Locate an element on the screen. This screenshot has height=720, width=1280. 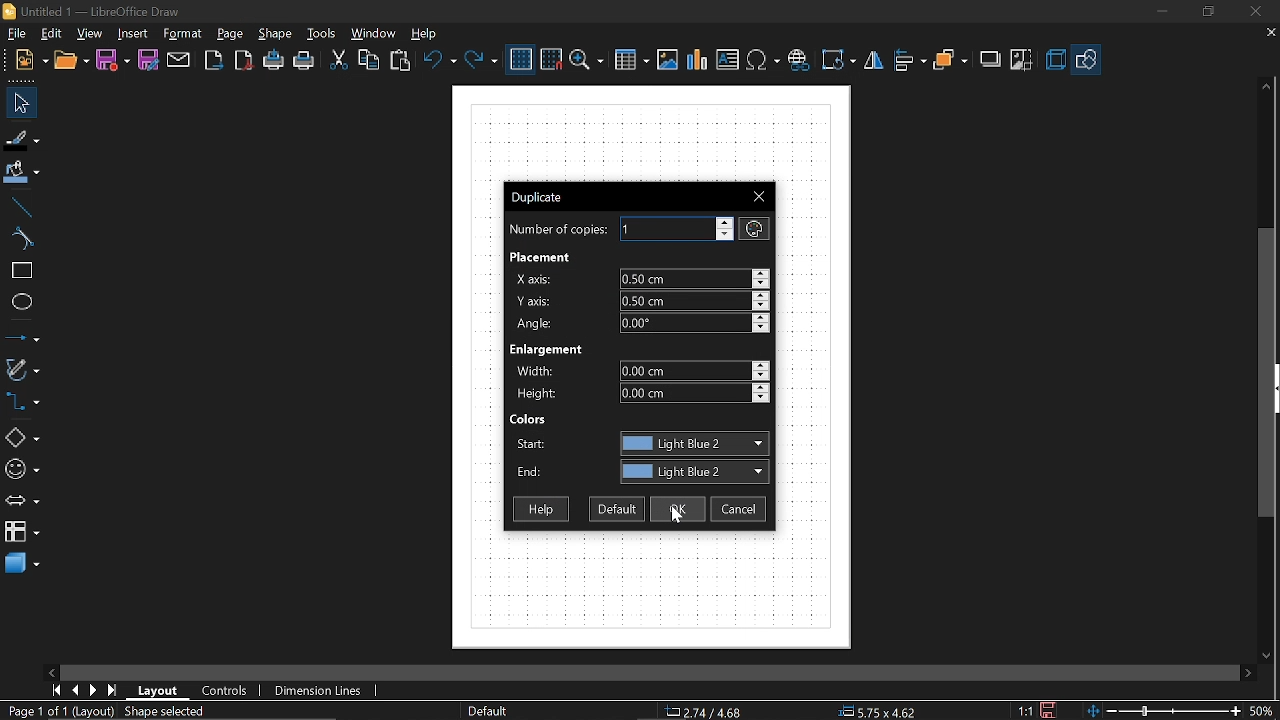
Rotate is located at coordinates (838, 60).